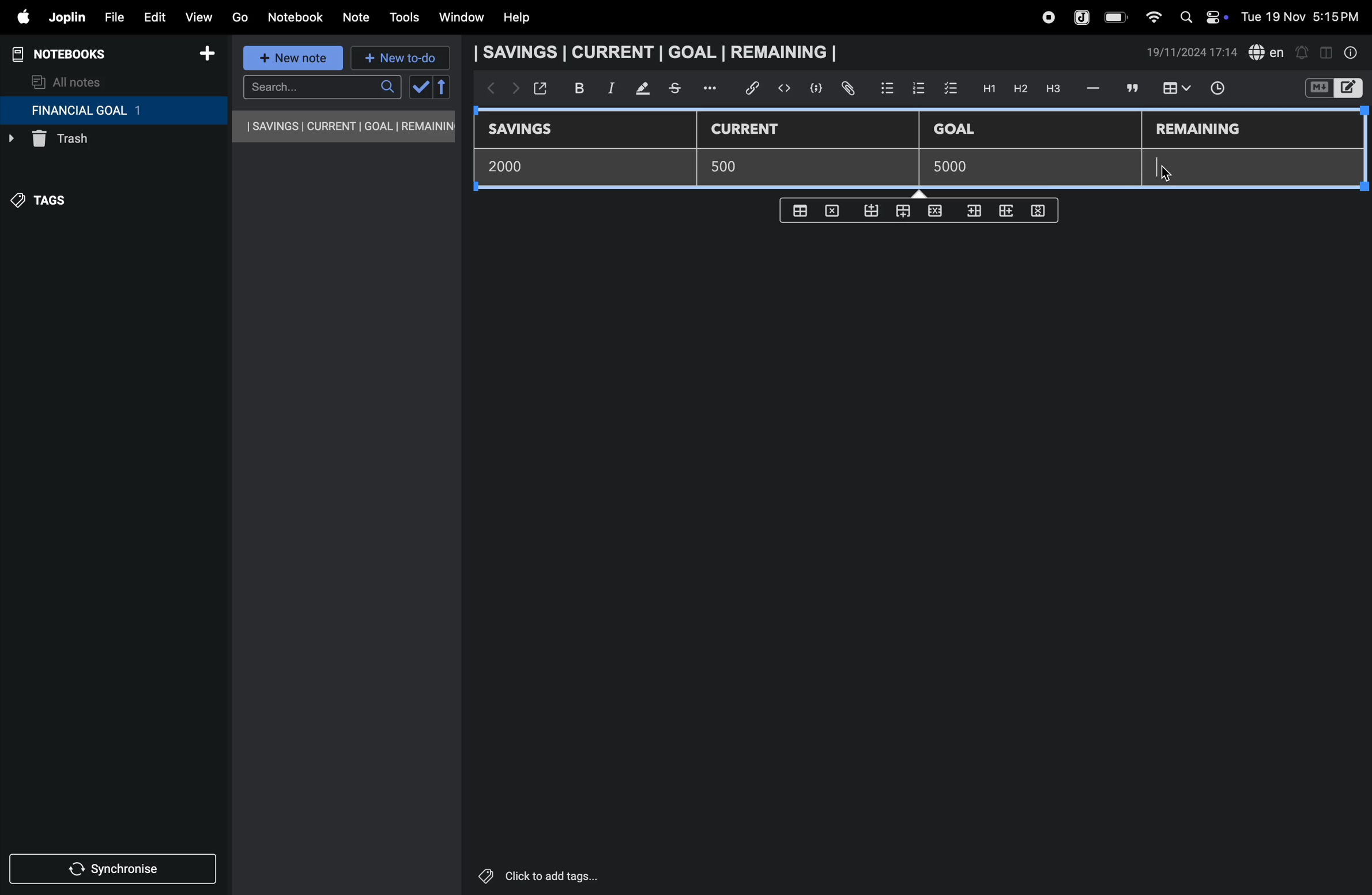 This screenshot has width=1372, height=895. Describe the element at coordinates (947, 167) in the screenshot. I see `500` at that location.